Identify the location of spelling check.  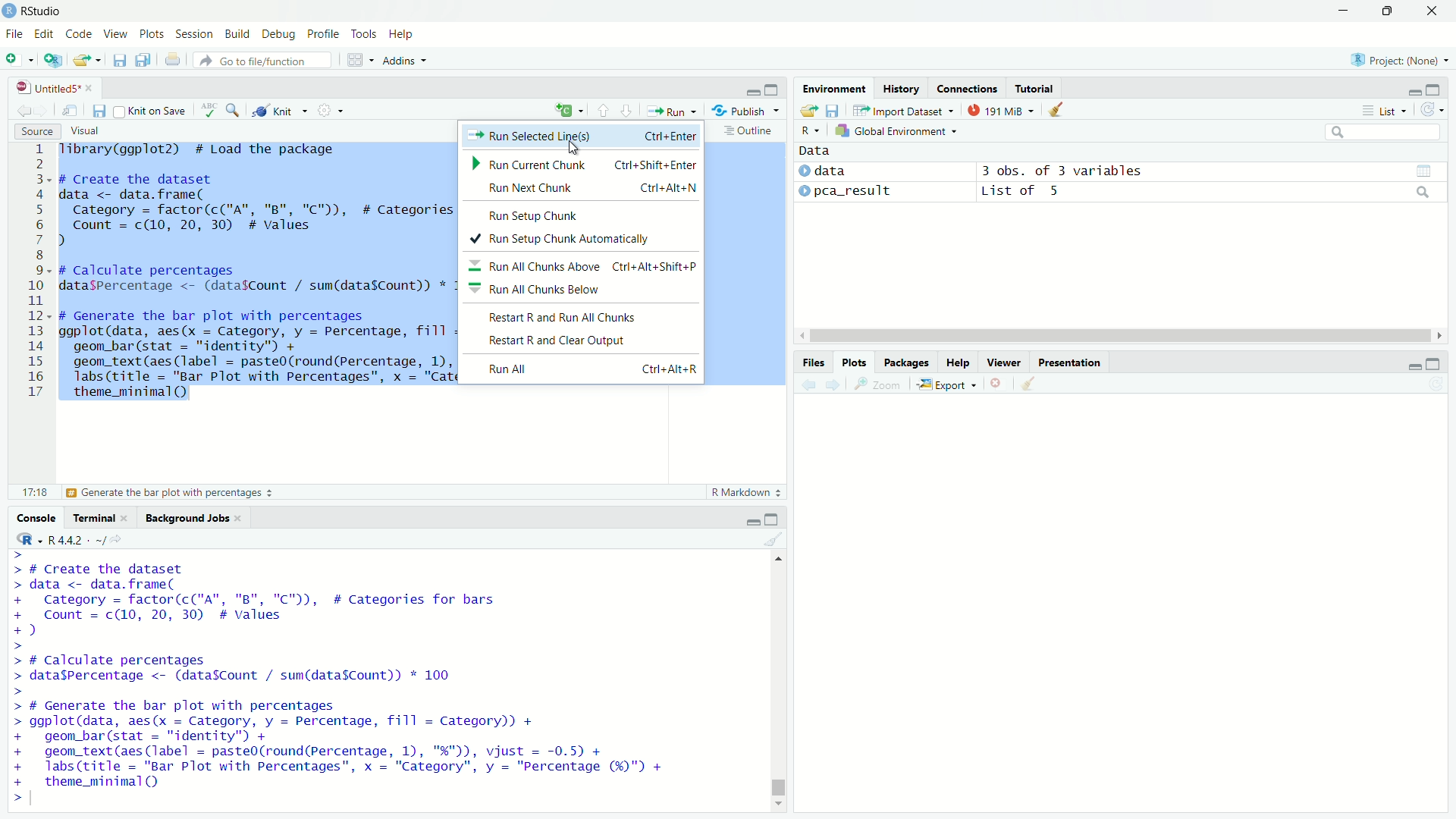
(210, 110).